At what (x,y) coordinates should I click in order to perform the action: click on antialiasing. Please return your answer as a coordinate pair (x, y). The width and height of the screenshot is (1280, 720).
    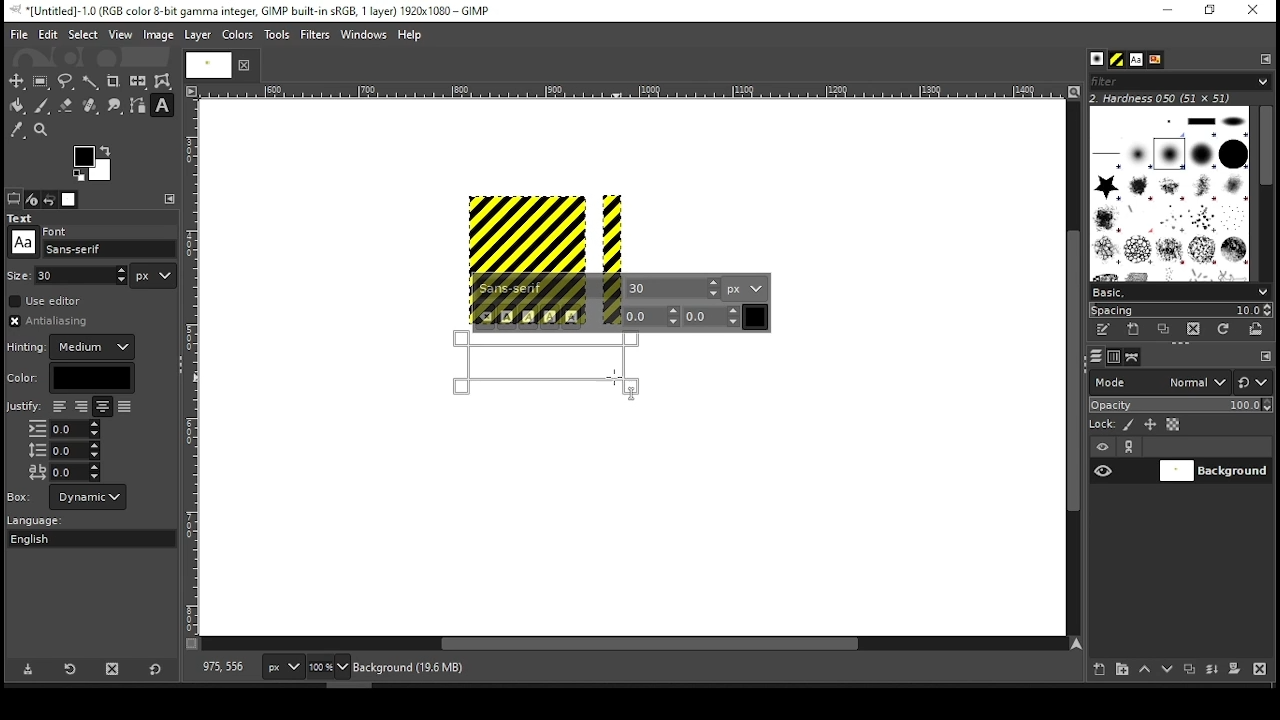
    Looking at the image, I should click on (54, 321).